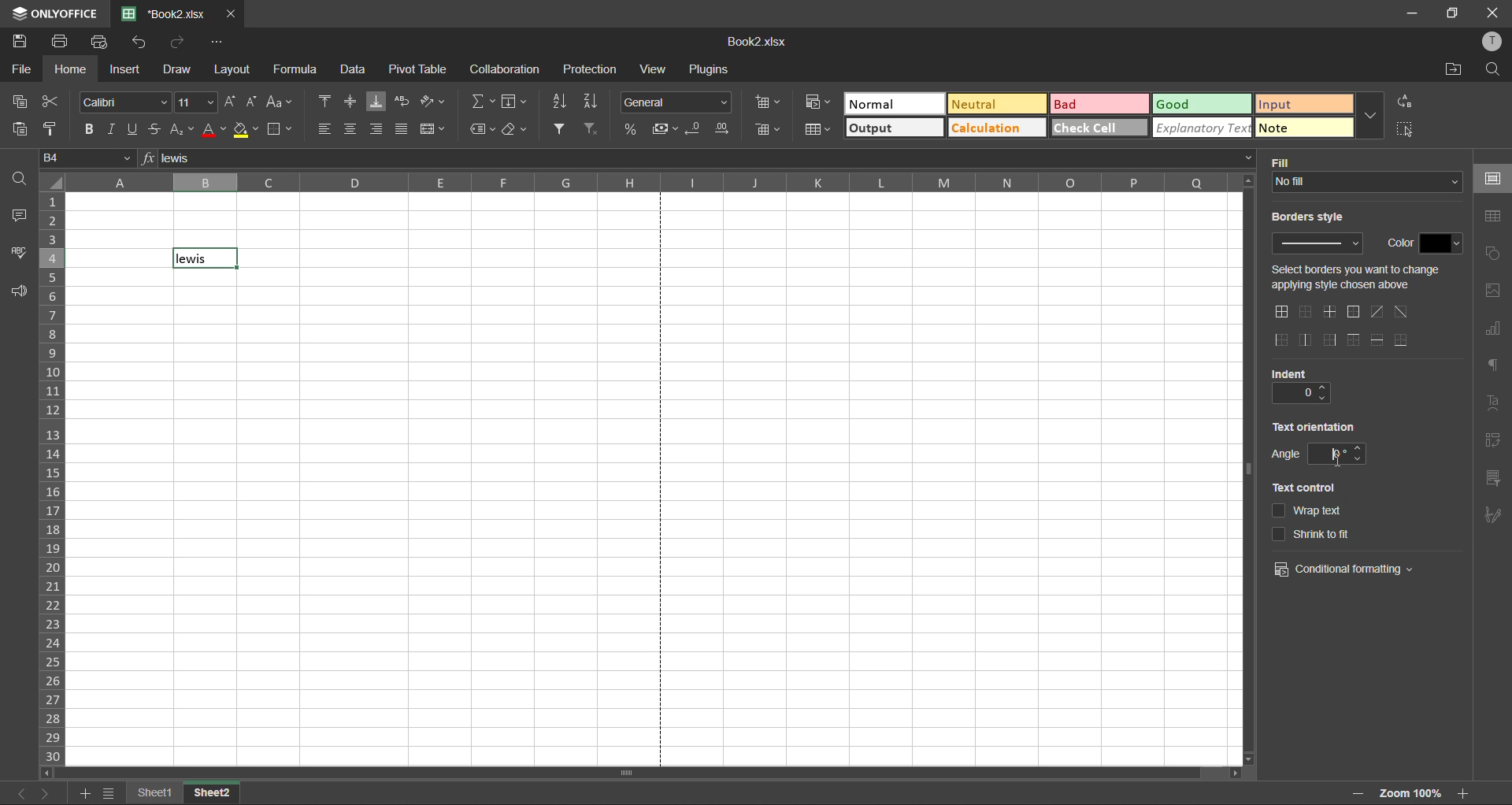 The width and height of the screenshot is (1512, 805). I want to click on borders, so click(284, 130).